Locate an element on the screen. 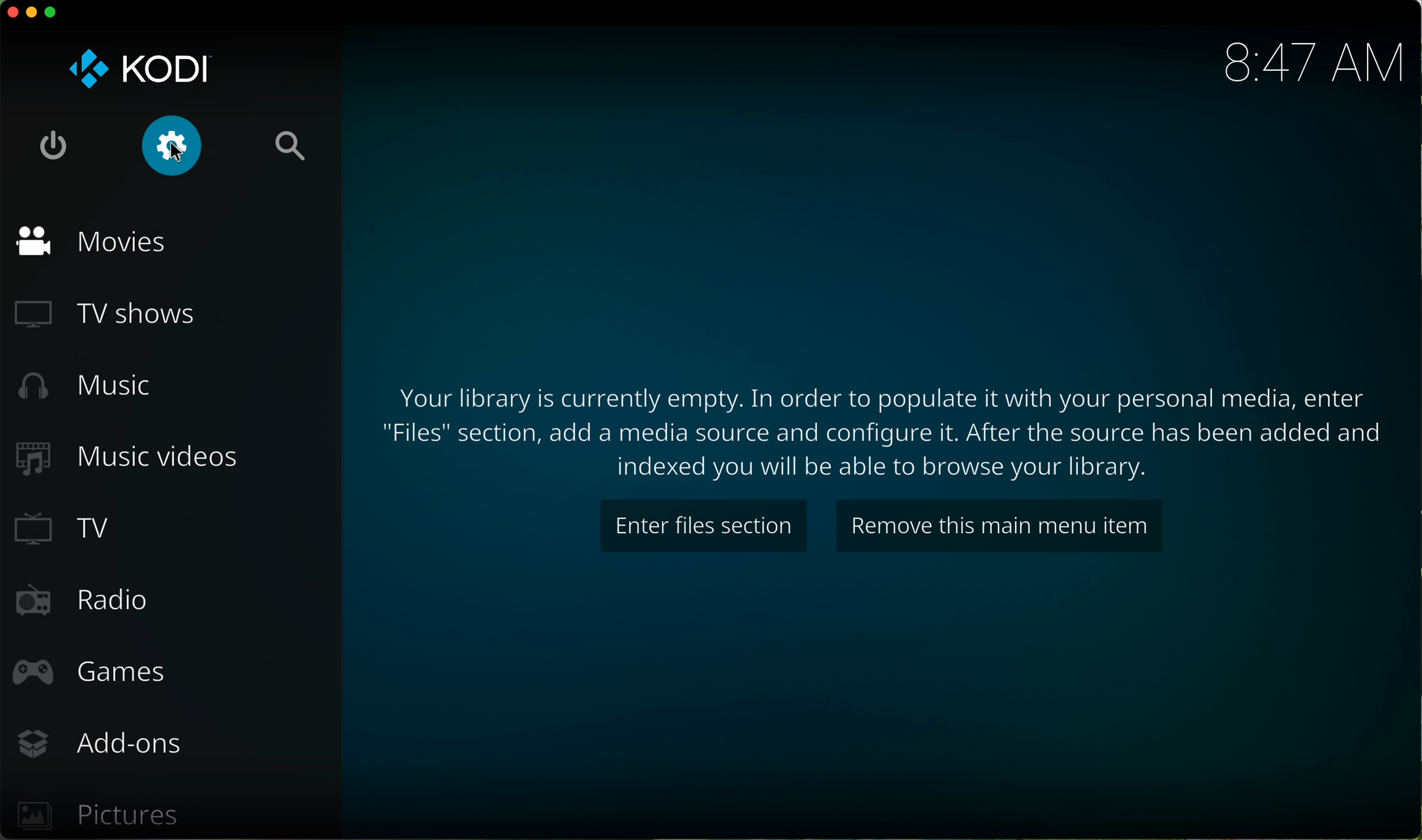  add-ons is located at coordinates (104, 741).